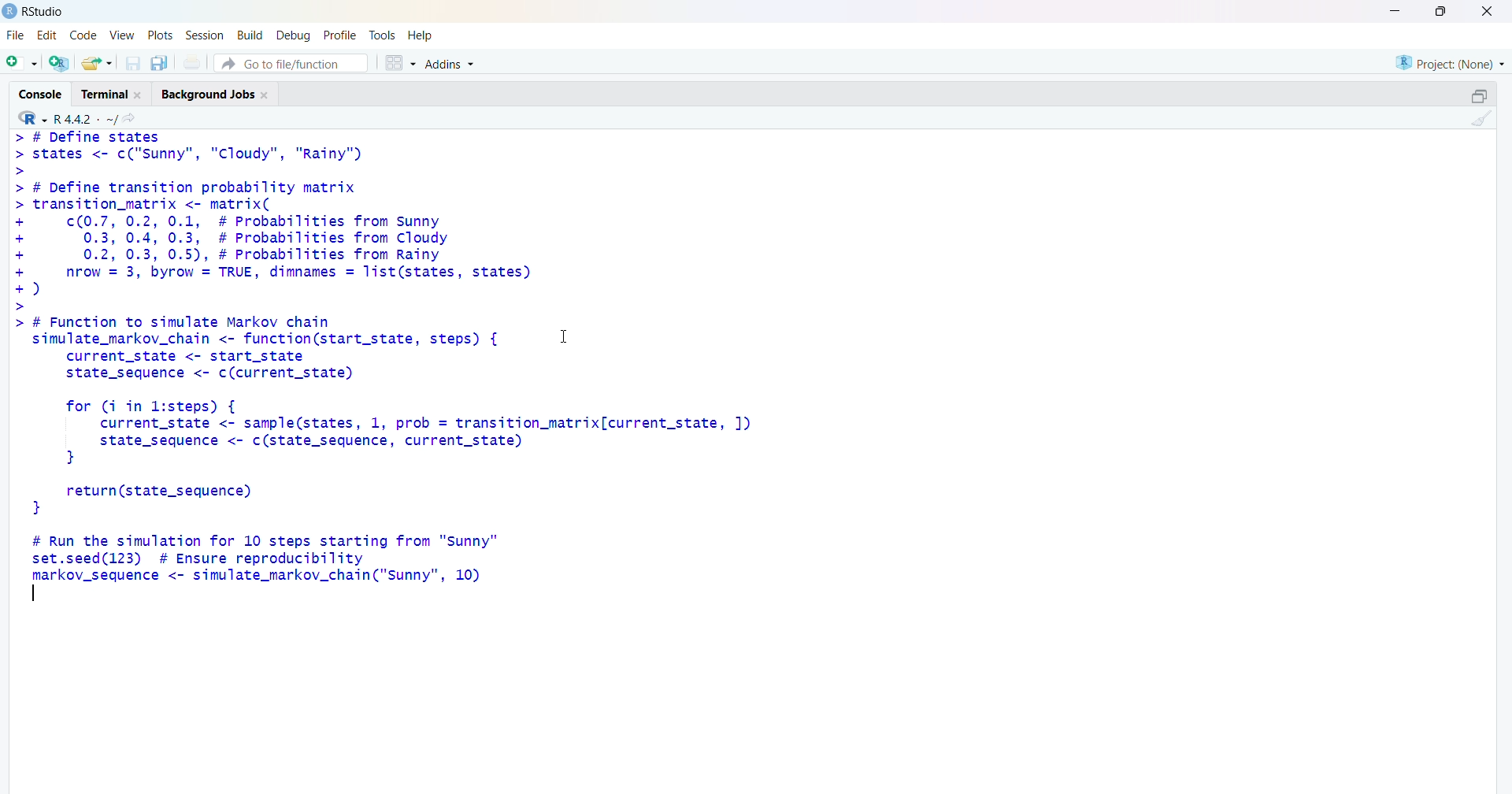 Image resolution: width=1512 pixels, height=794 pixels. I want to click on clear console, so click(1482, 119).